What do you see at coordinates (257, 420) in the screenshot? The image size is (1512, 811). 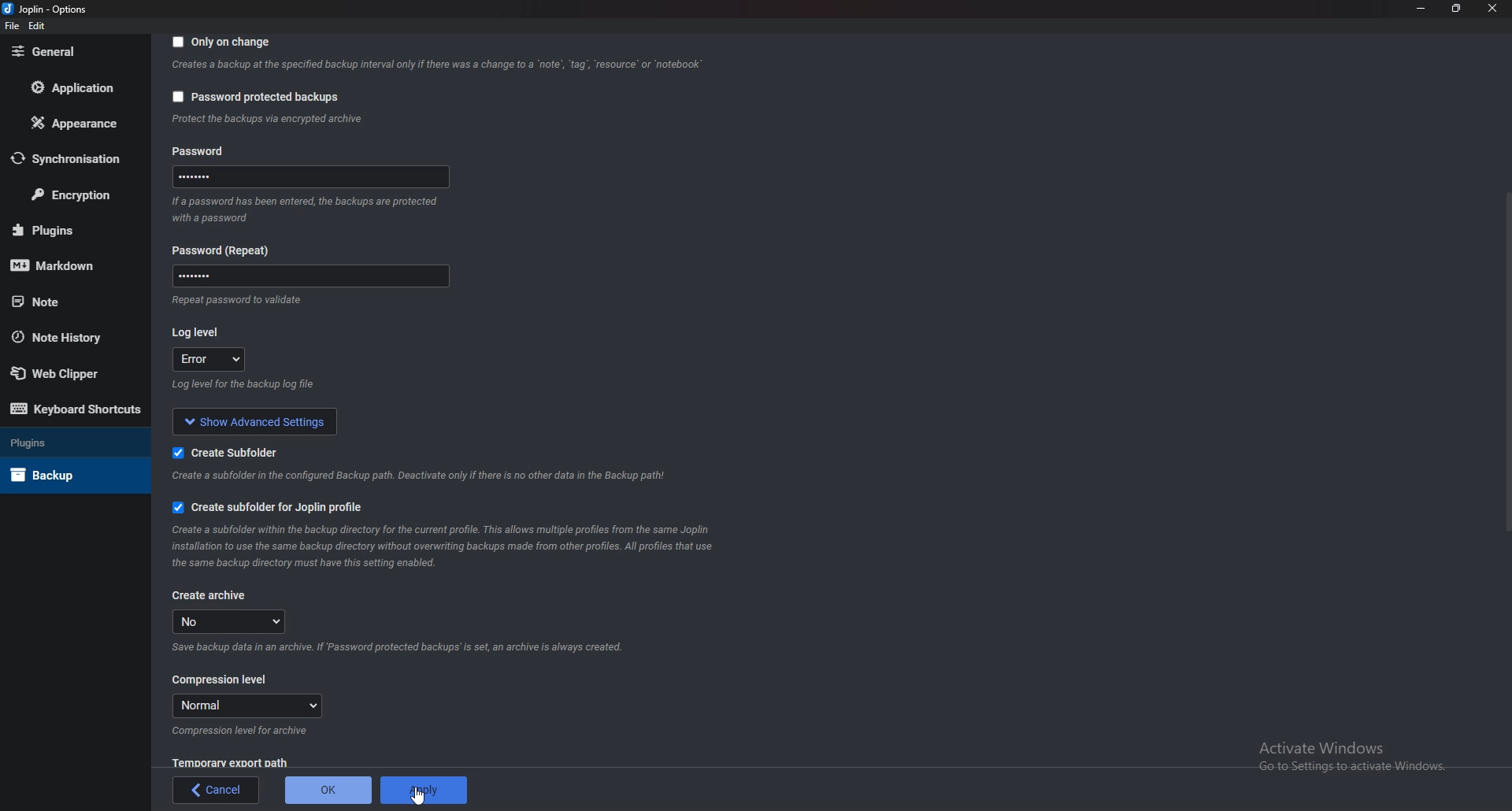 I see `Show advanced settings` at bounding box center [257, 420].